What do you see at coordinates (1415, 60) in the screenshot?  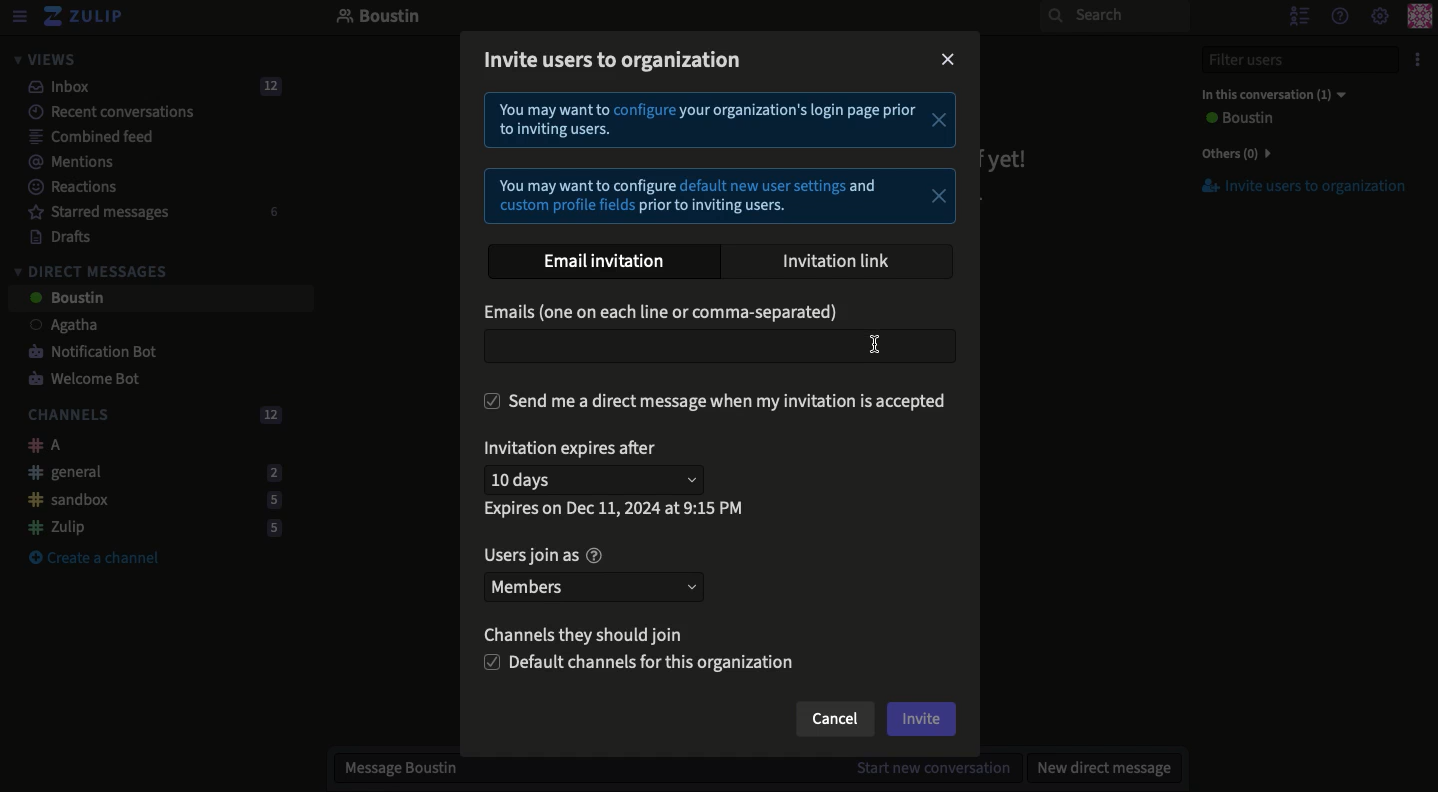 I see `Options` at bounding box center [1415, 60].